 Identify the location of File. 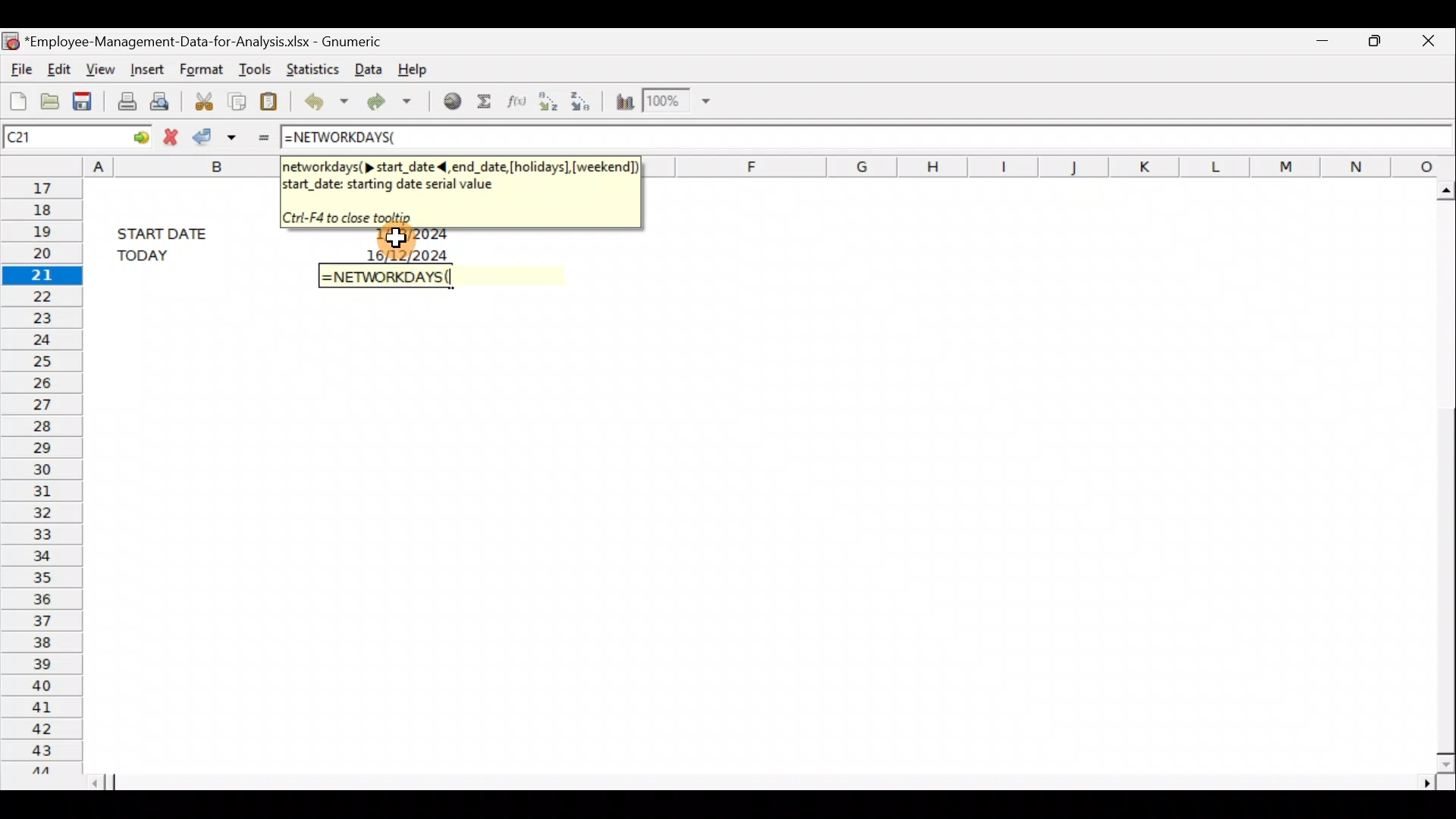
(19, 67).